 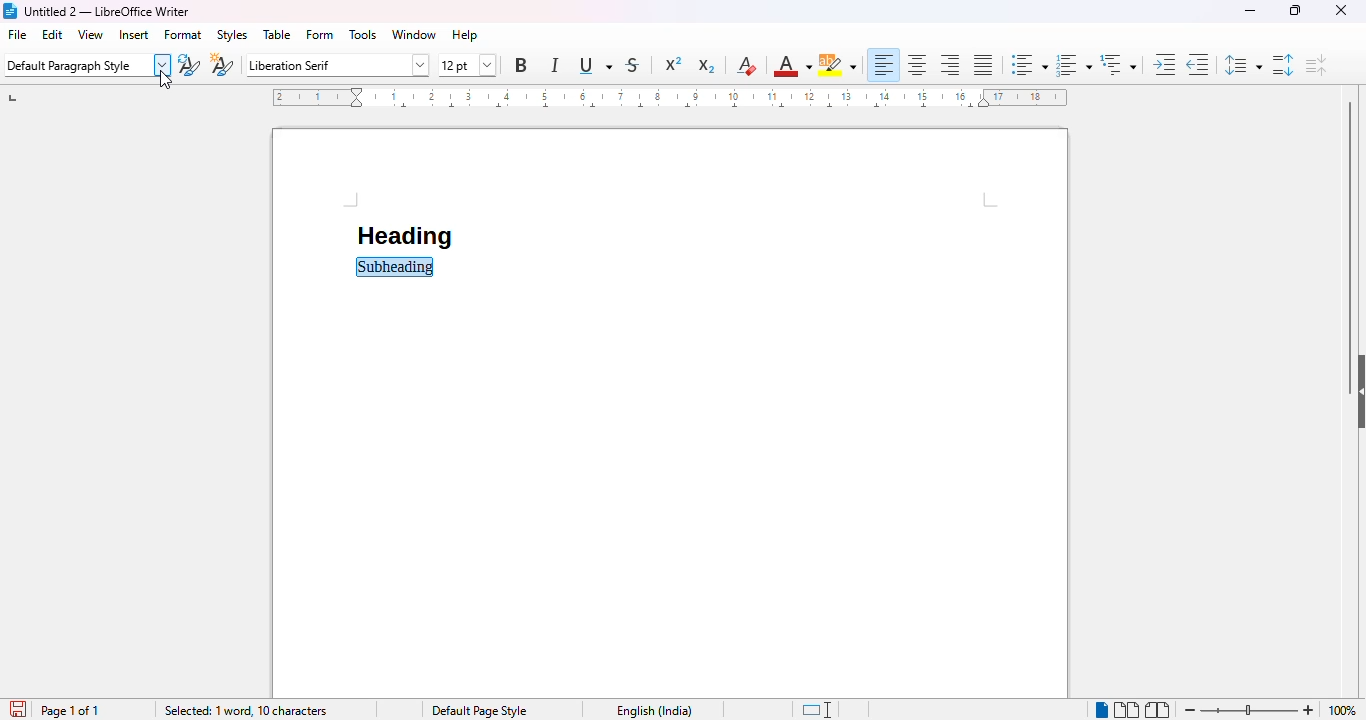 I want to click on window, so click(x=415, y=34).